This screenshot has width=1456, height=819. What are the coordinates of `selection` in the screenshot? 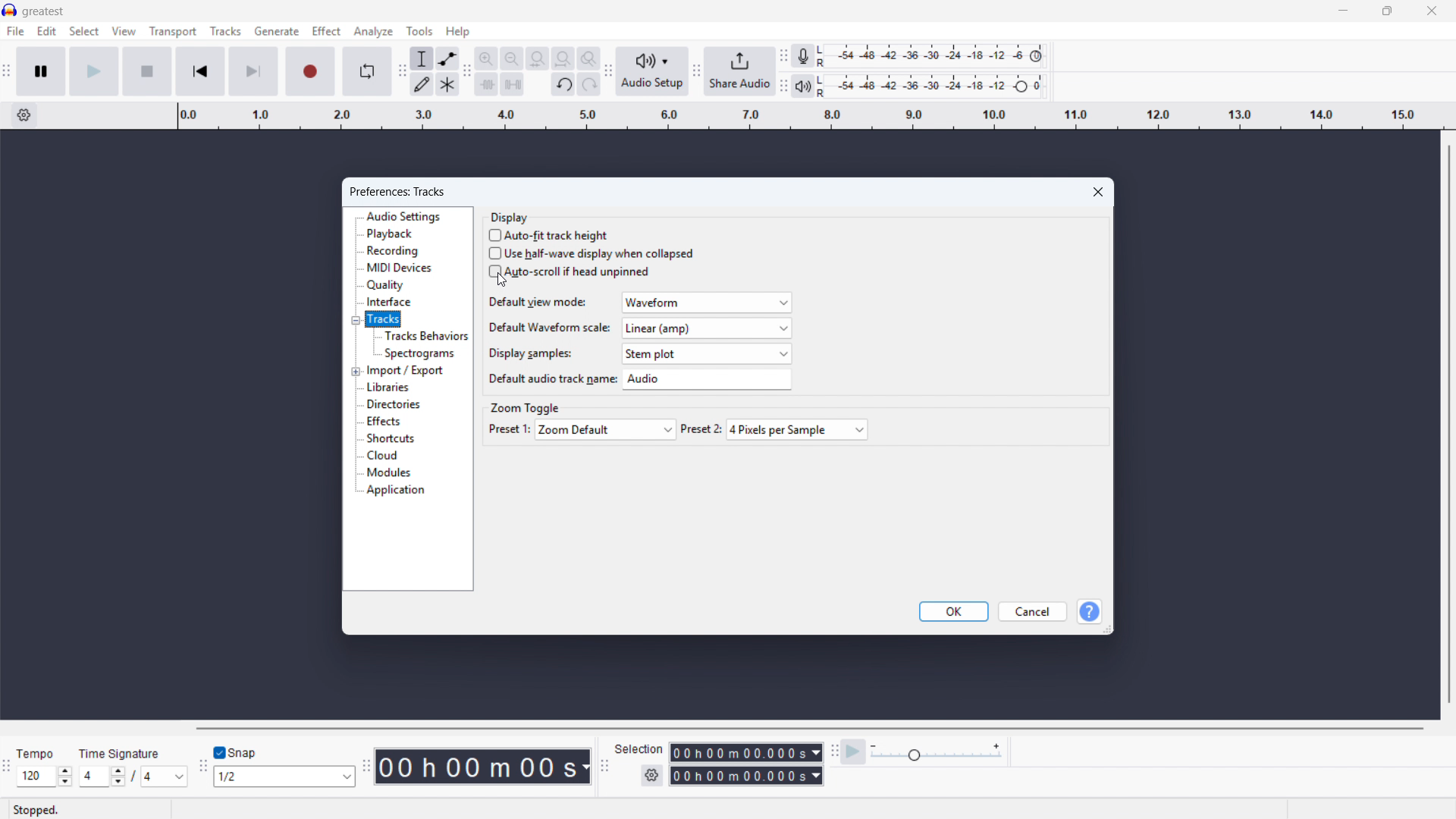 It's located at (639, 750).